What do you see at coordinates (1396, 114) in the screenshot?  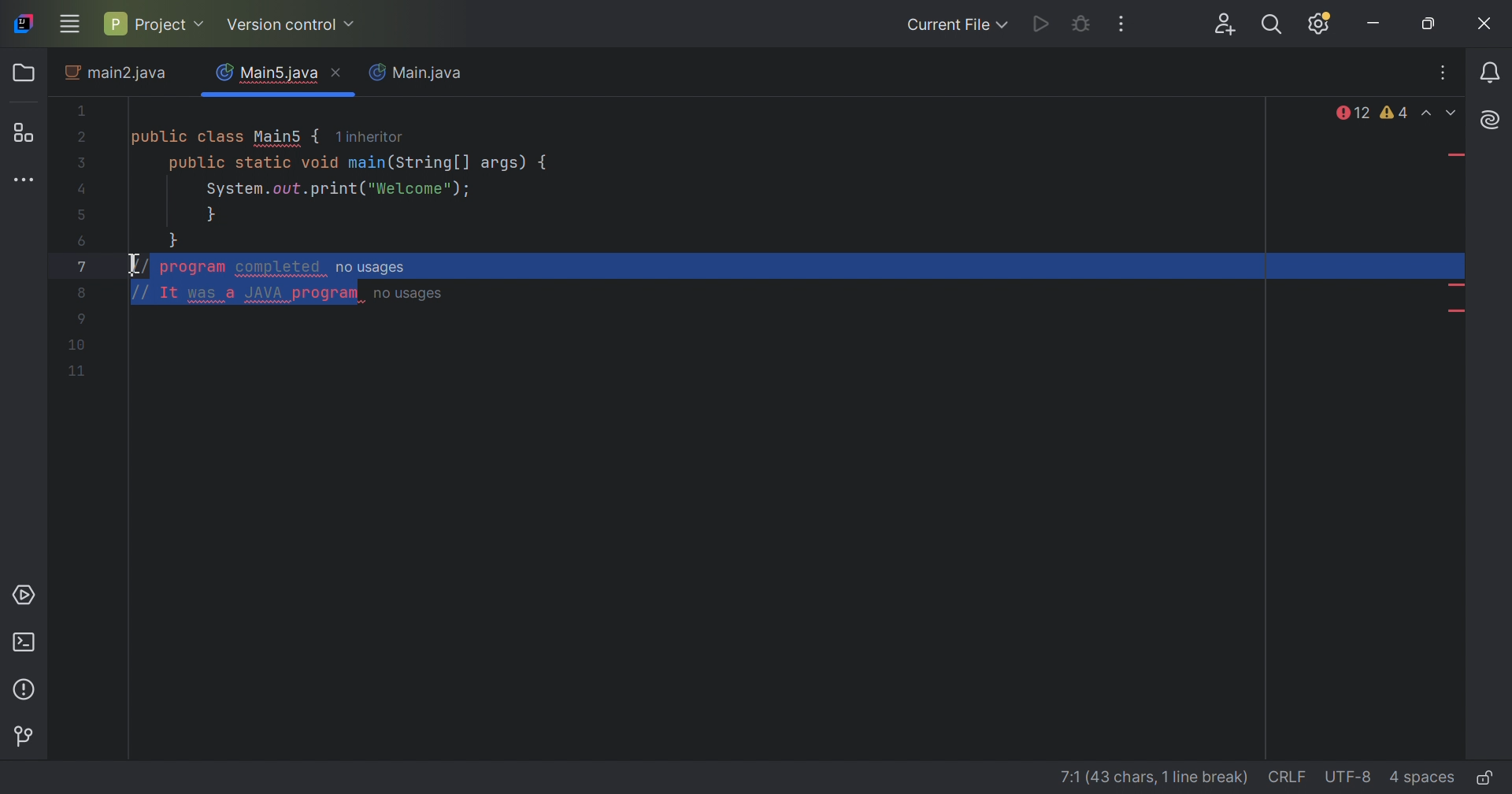 I see `warning` at bounding box center [1396, 114].